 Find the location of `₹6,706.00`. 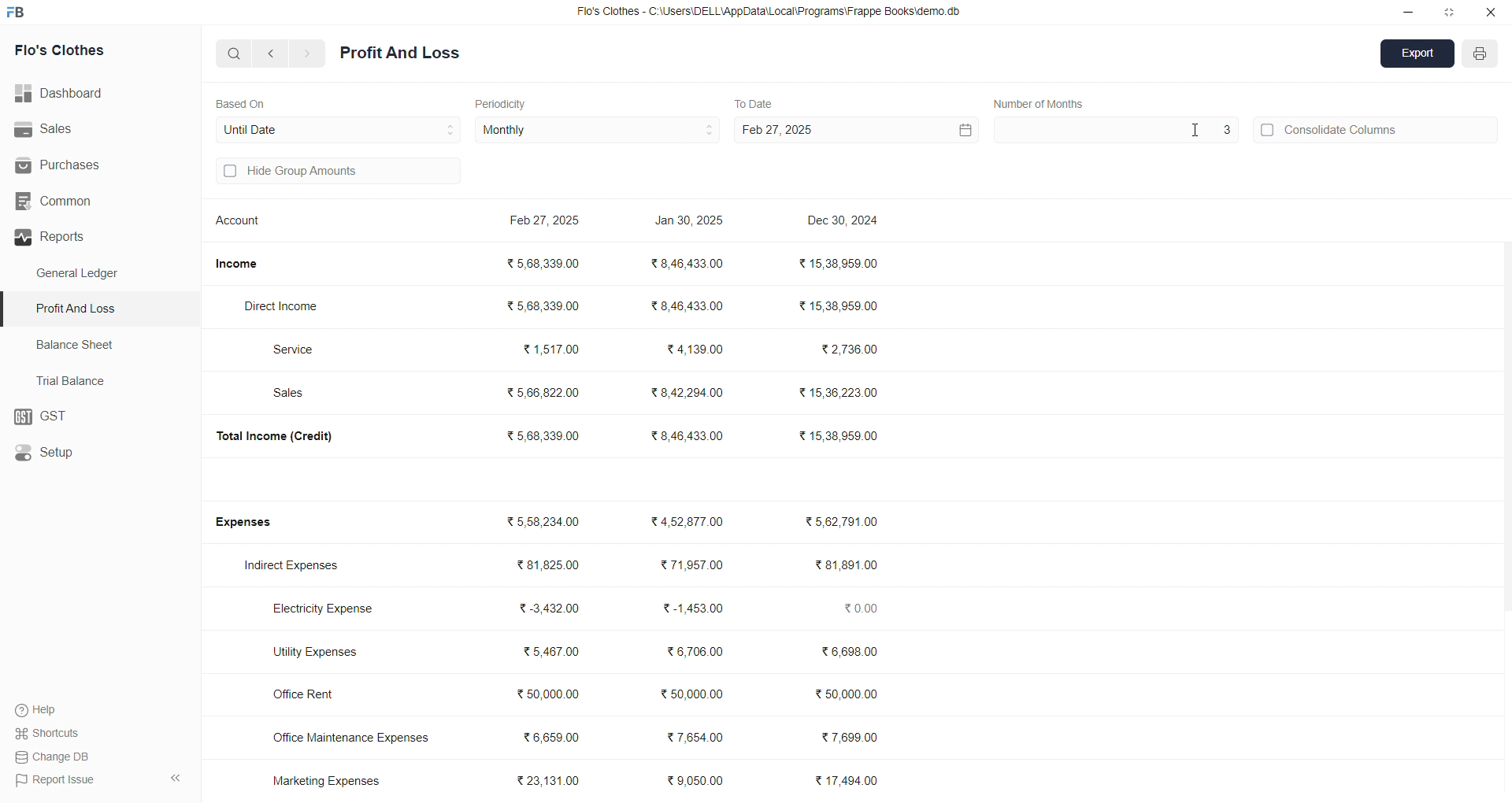

₹6,706.00 is located at coordinates (695, 653).